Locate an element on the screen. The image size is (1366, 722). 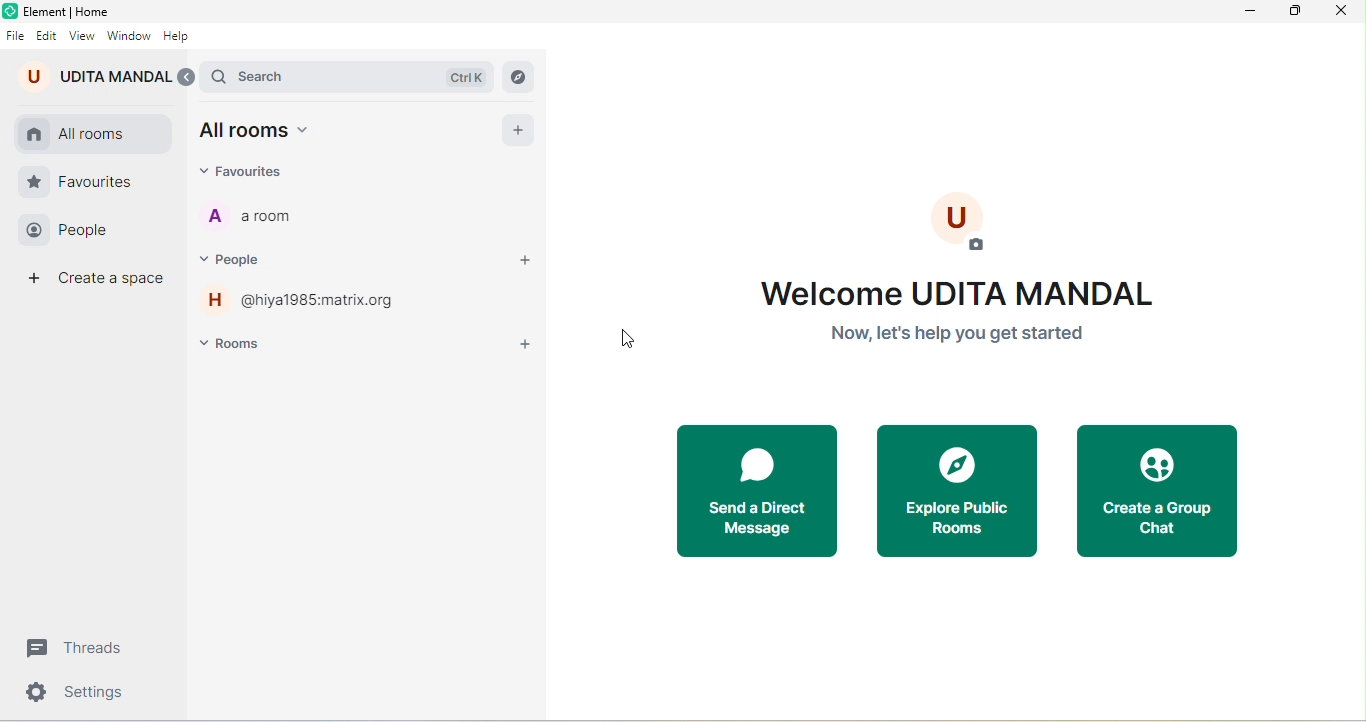
account name is located at coordinates (105, 76).